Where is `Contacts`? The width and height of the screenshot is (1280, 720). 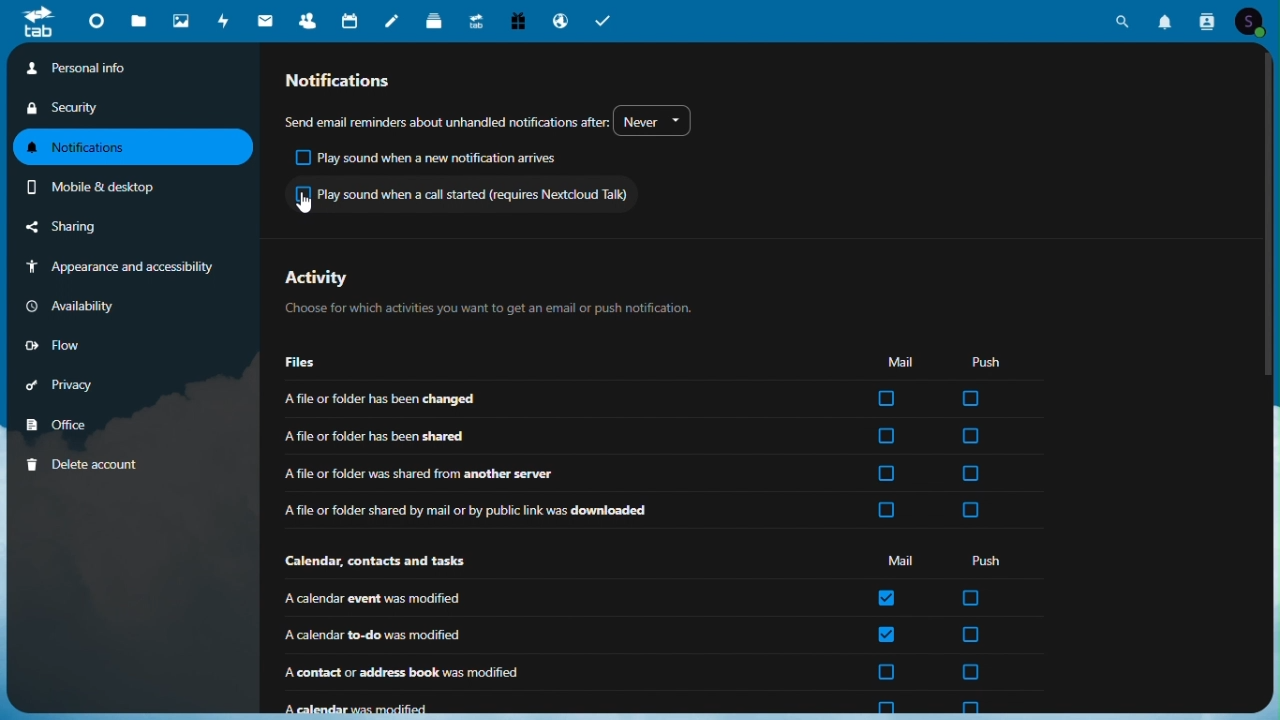 Contacts is located at coordinates (1206, 19).